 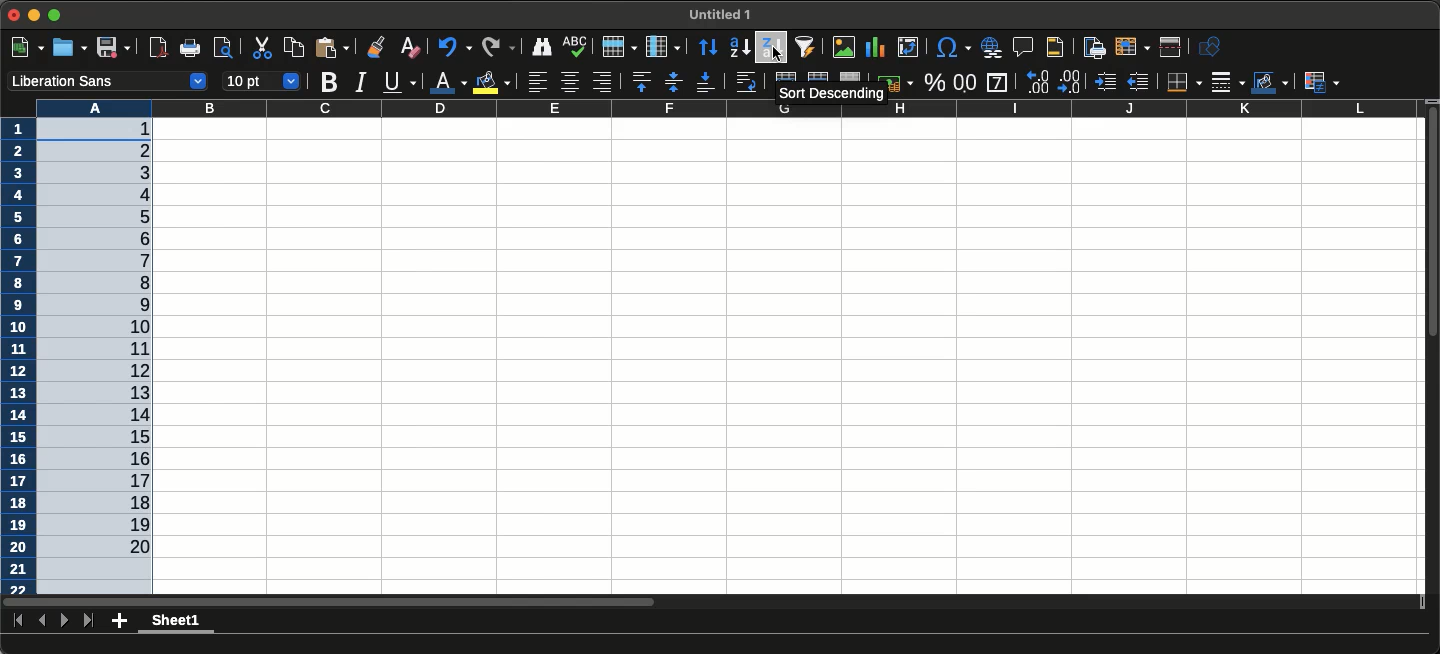 I want to click on Split window, so click(x=1170, y=48).